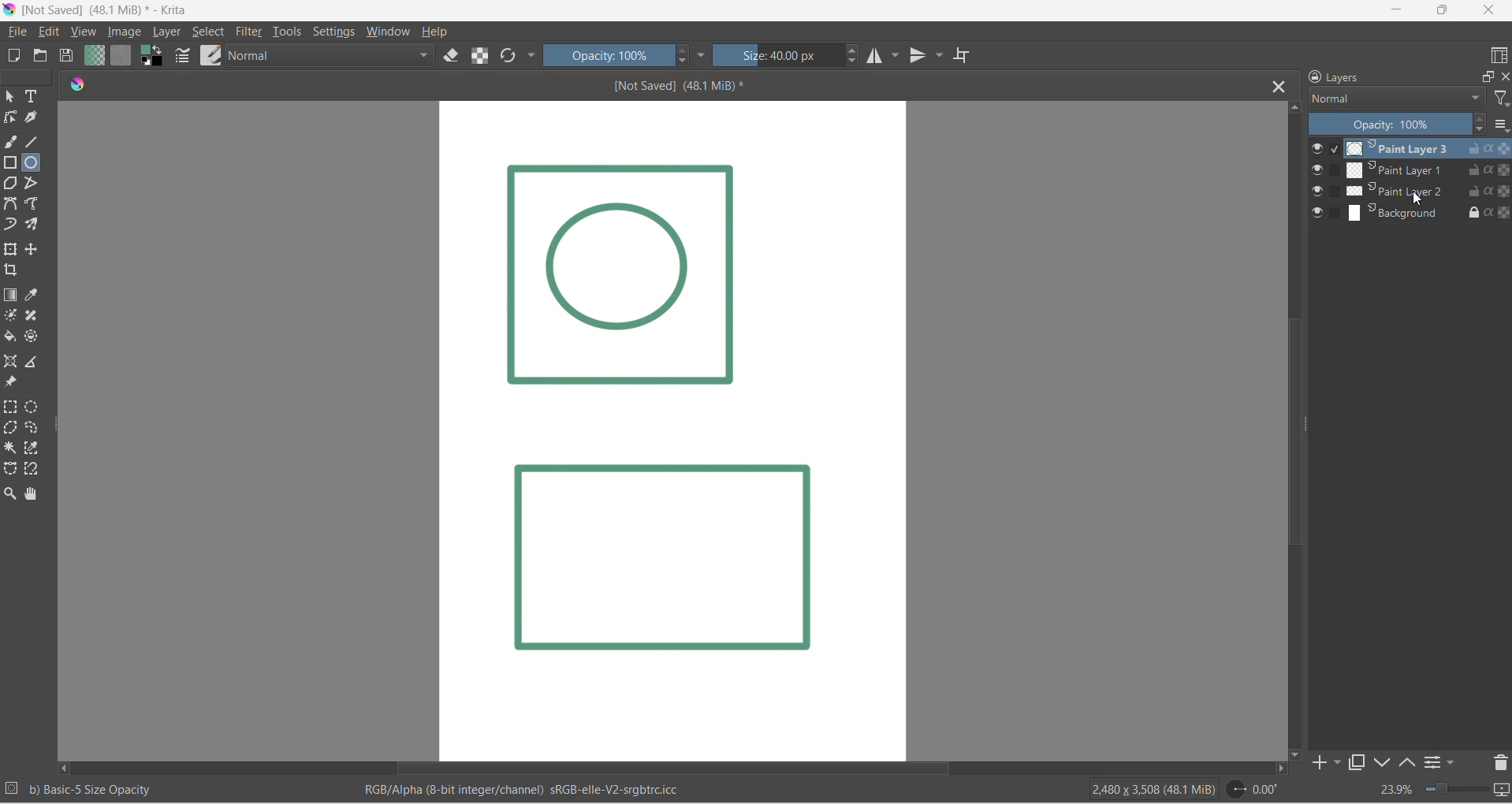  I want to click on edit, so click(48, 32).